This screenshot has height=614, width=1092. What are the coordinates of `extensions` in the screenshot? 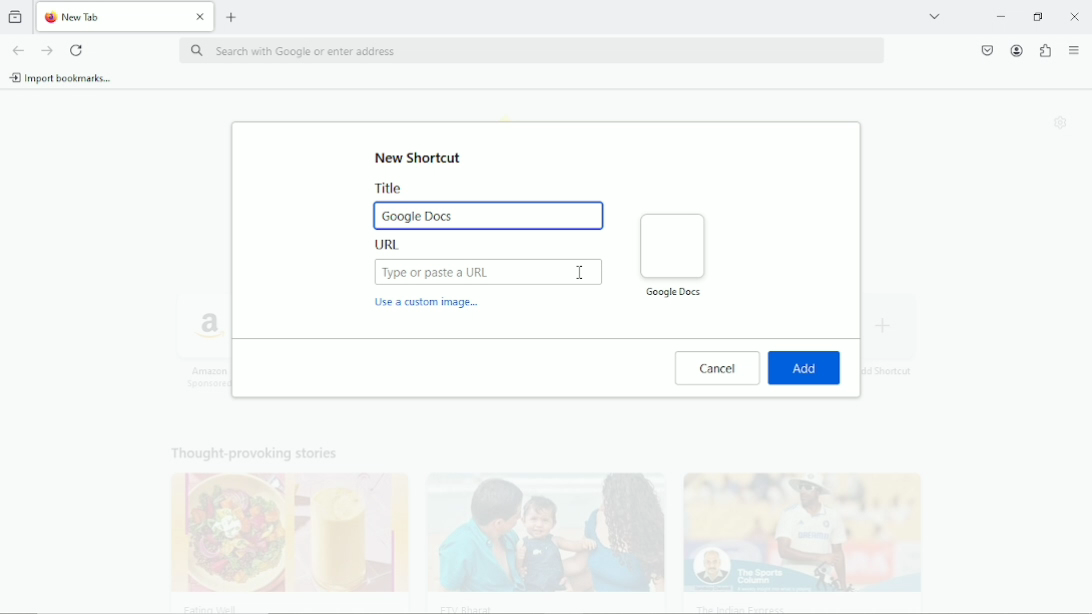 It's located at (1044, 51).